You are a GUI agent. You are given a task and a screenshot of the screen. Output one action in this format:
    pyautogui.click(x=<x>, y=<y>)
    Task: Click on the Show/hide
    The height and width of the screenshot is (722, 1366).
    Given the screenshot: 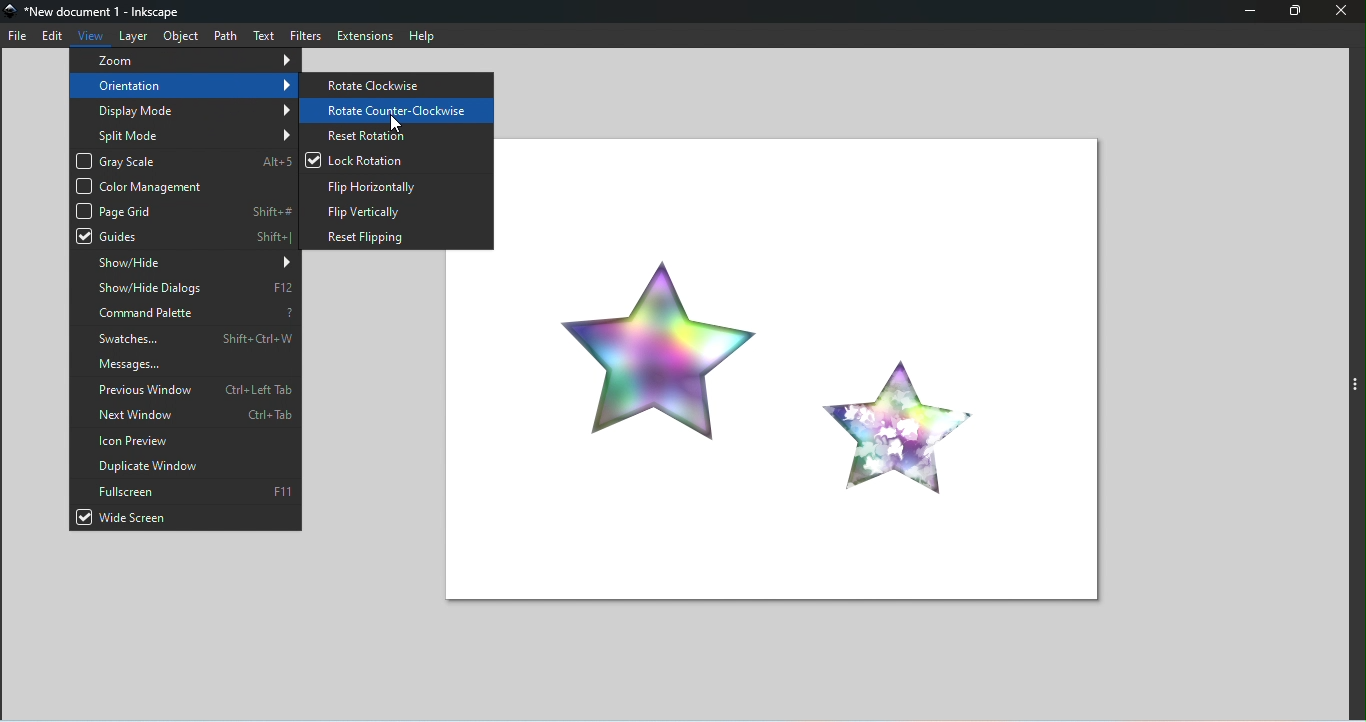 What is the action you would take?
    pyautogui.click(x=184, y=265)
    